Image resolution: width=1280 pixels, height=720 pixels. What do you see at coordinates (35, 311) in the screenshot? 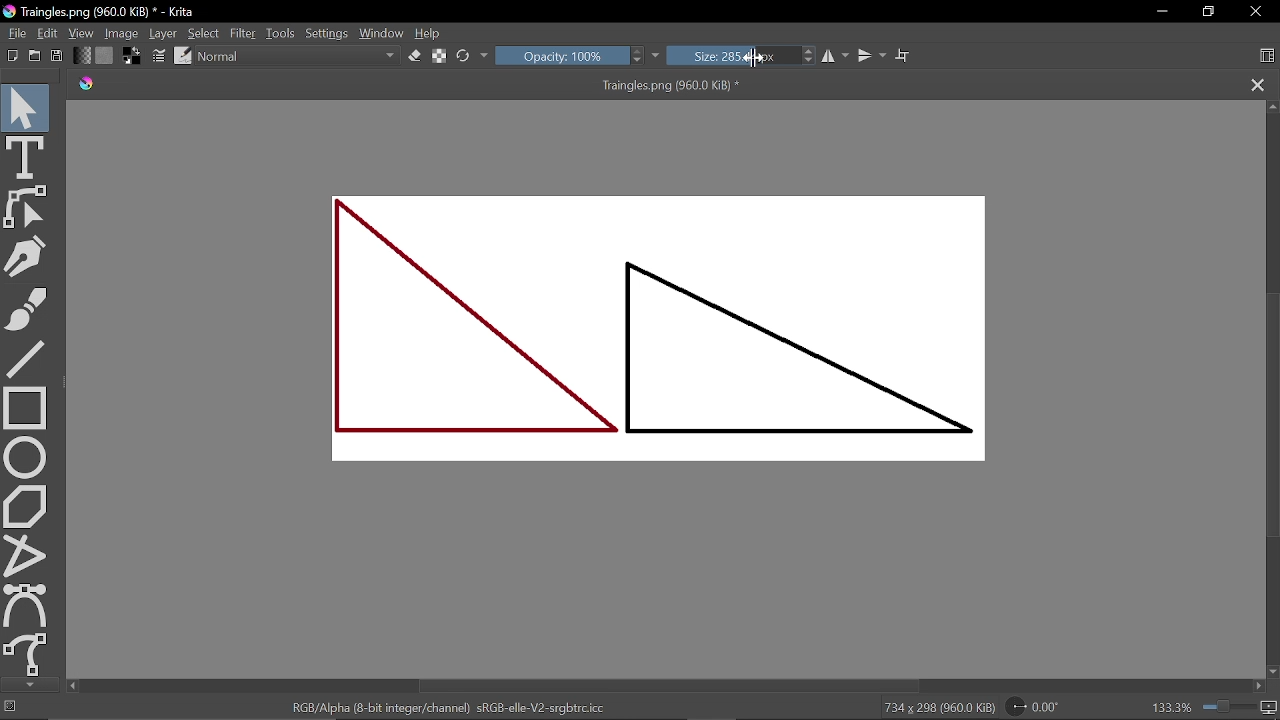
I see `Freehand brush tool` at bounding box center [35, 311].